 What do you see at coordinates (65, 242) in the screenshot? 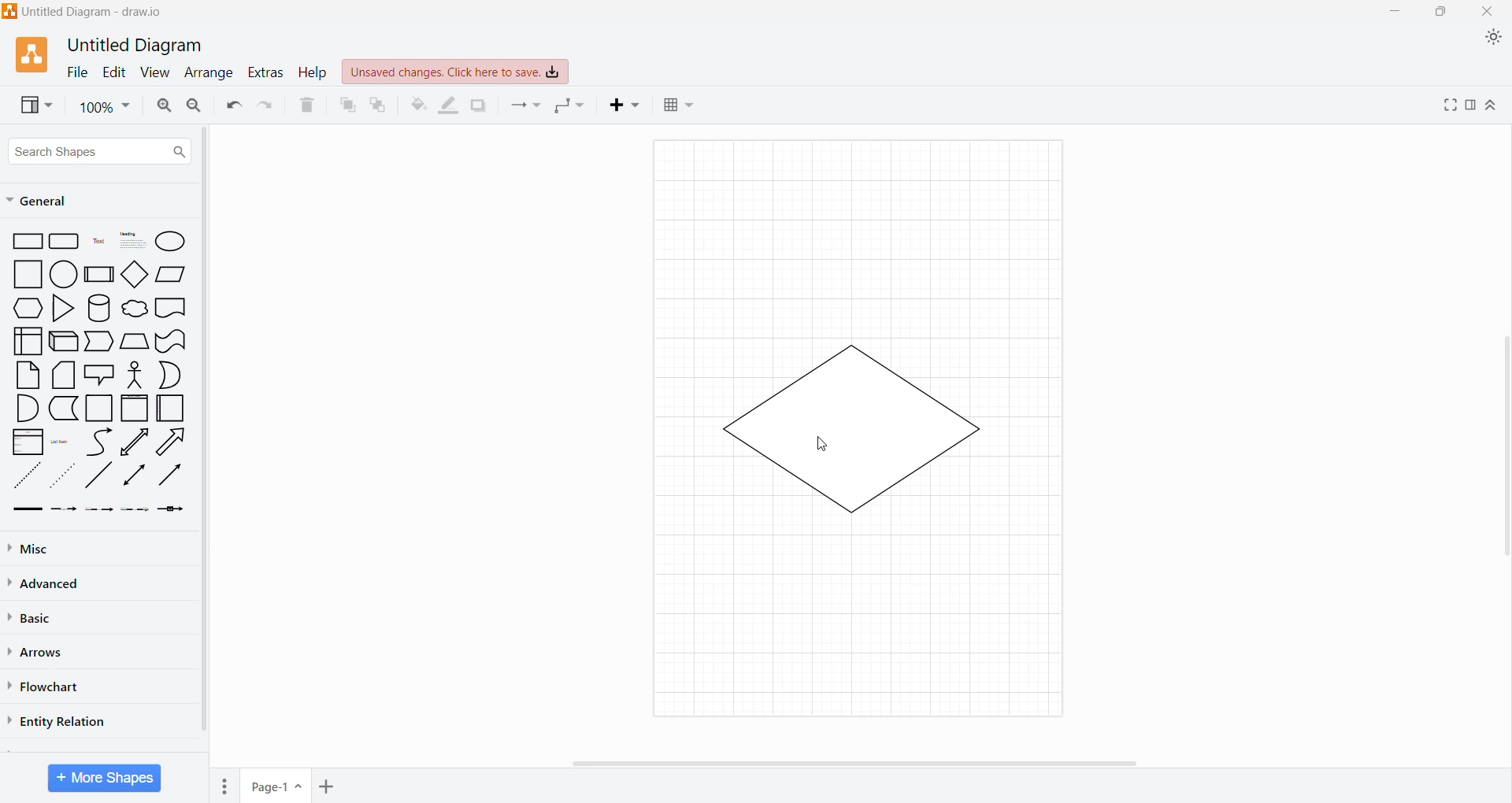
I see `Rounded Rectangle` at bounding box center [65, 242].